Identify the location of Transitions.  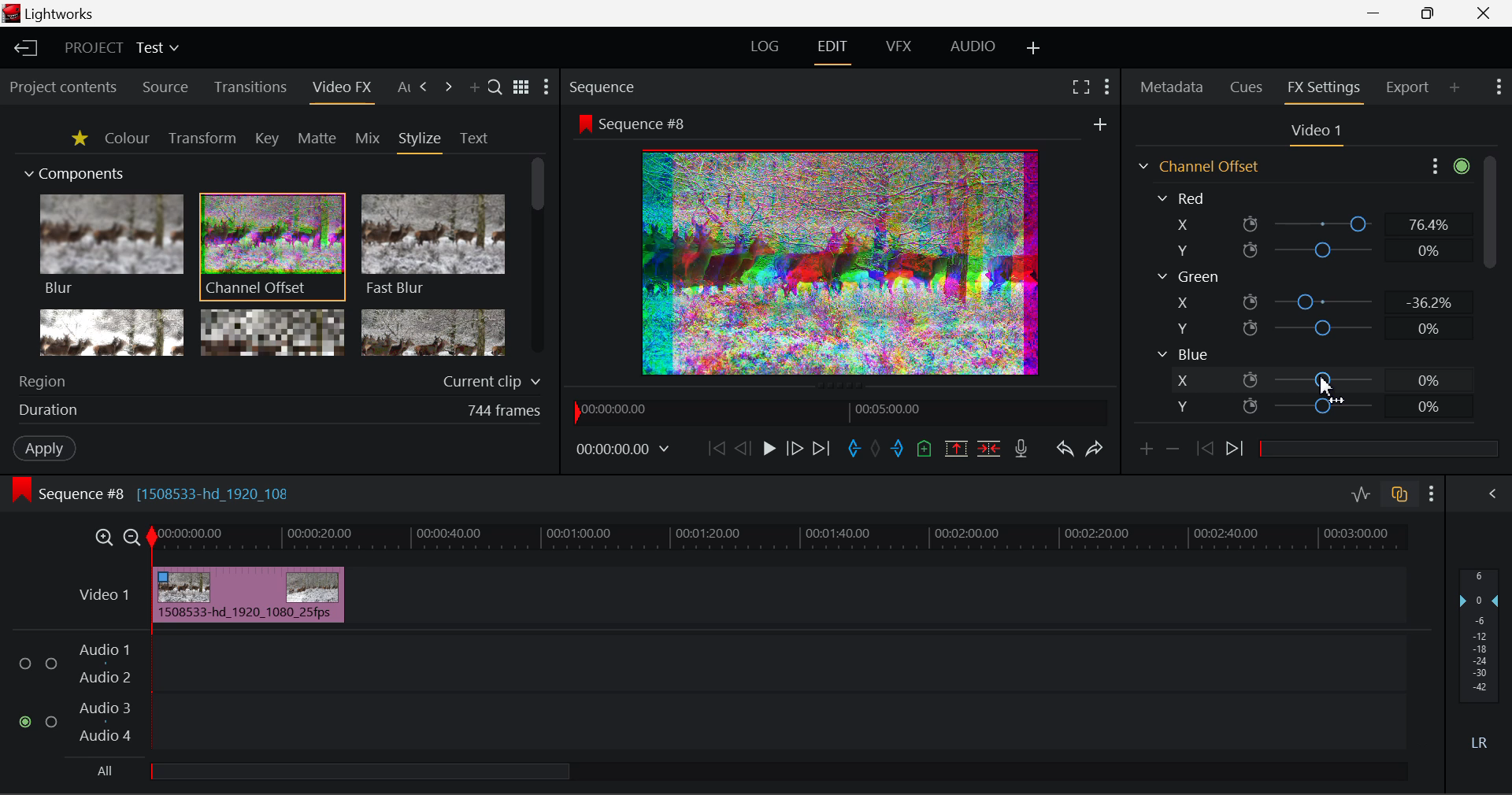
(249, 87).